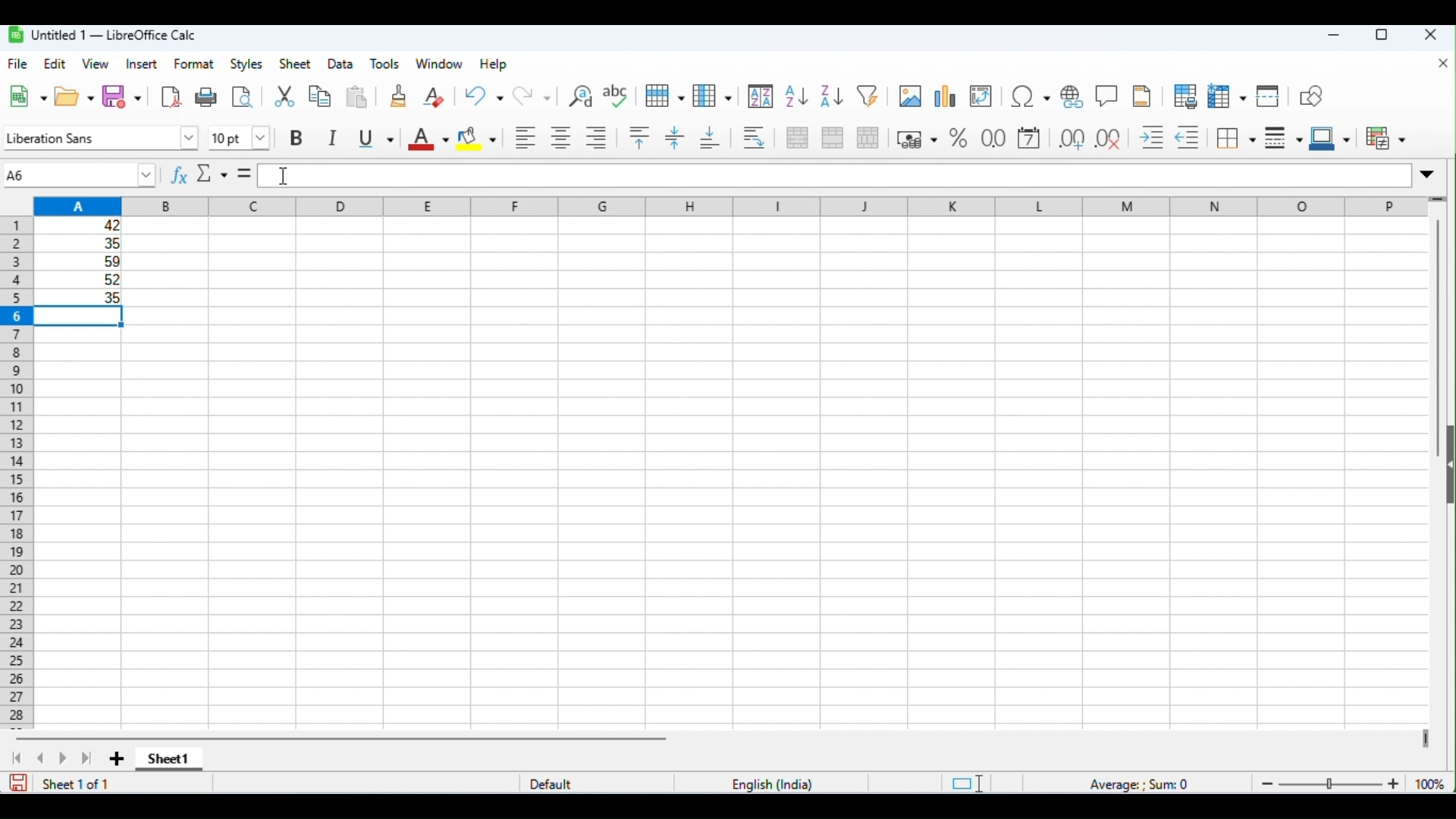 This screenshot has height=819, width=1456. What do you see at coordinates (81, 251) in the screenshot?
I see `range of cells` at bounding box center [81, 251].